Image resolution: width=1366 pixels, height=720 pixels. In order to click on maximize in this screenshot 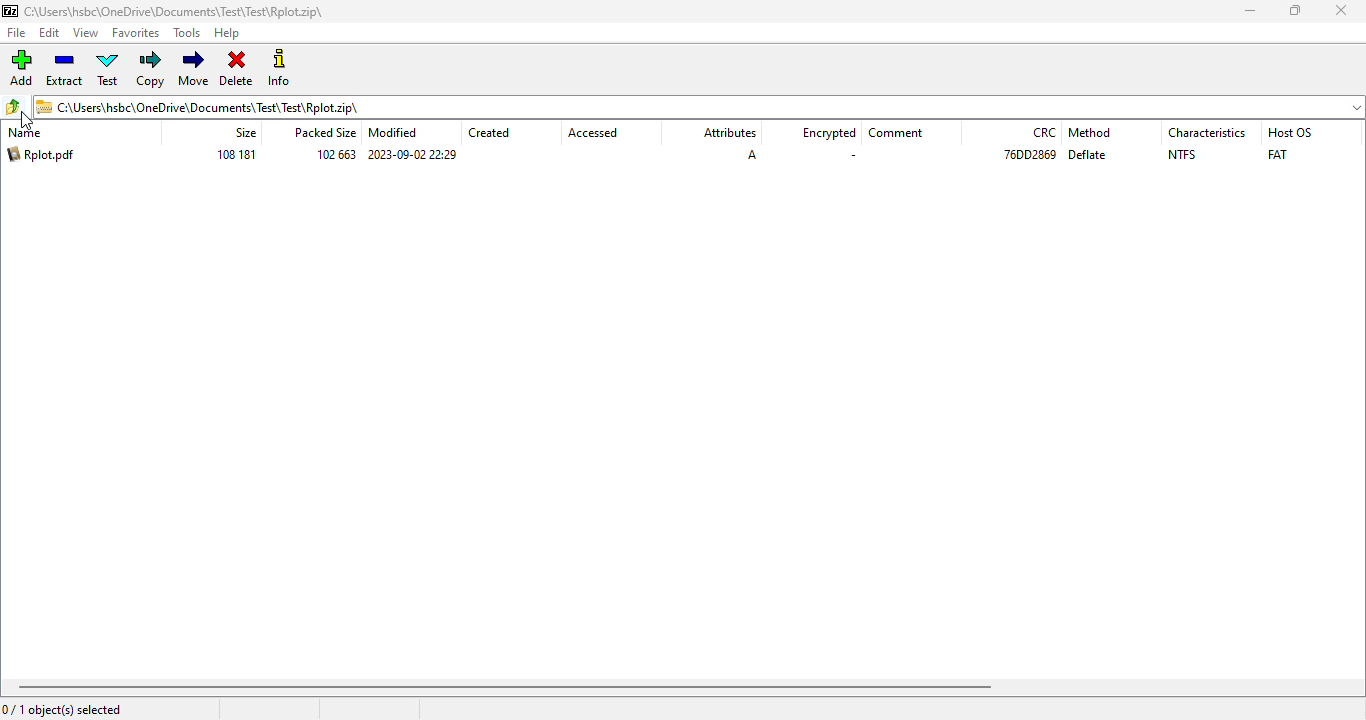, I will do `click(1296, 10)`.